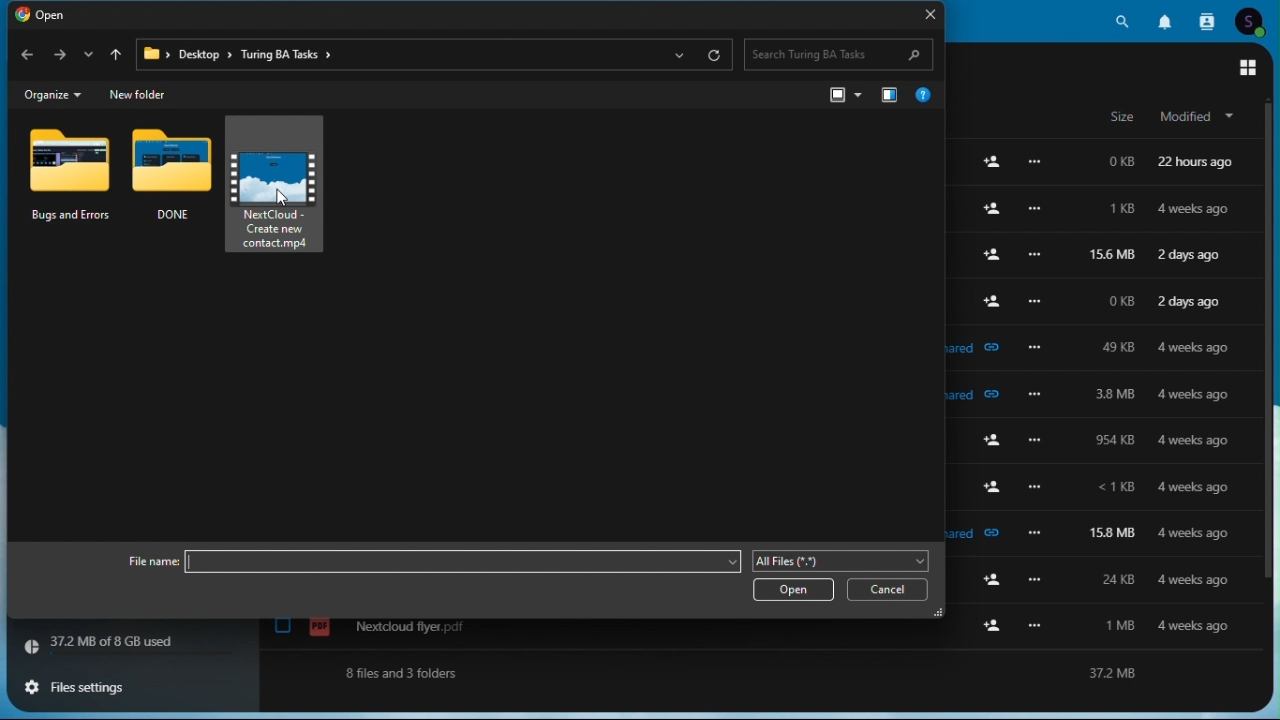 This screenshot has height=720, width=1280. Describe the element at coordinates (1192, 210) in the screenshot. I see `4 weeks ago` at that location.